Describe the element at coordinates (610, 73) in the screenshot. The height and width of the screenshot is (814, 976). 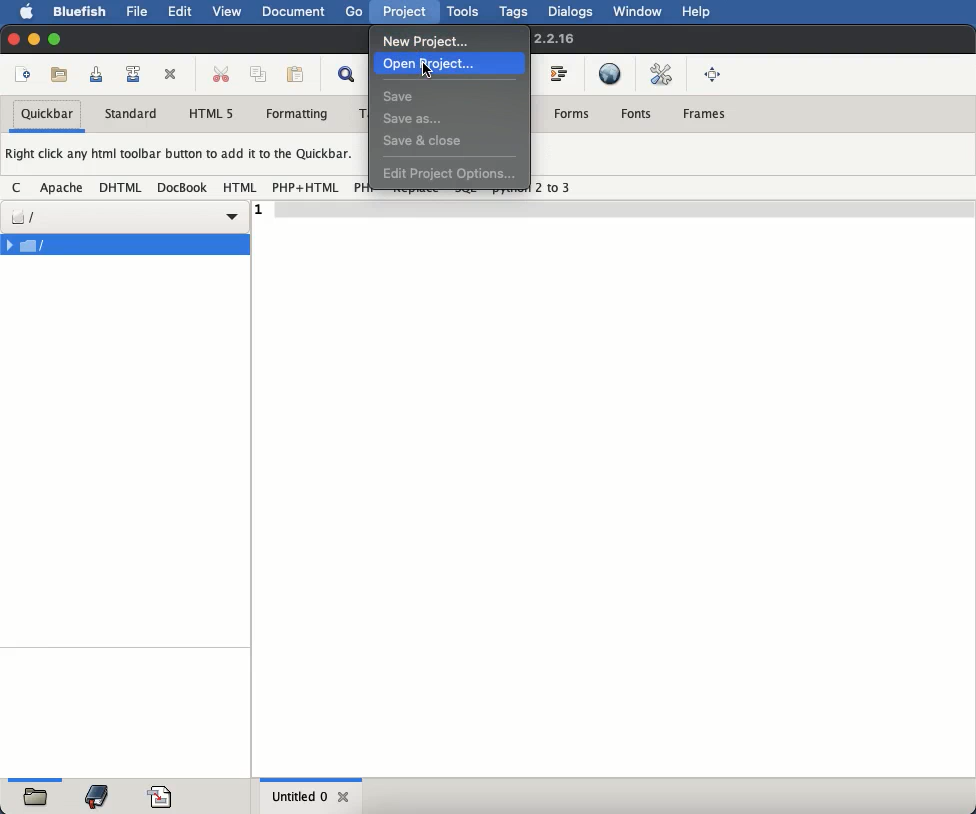
I see `preview in browser` at that location.